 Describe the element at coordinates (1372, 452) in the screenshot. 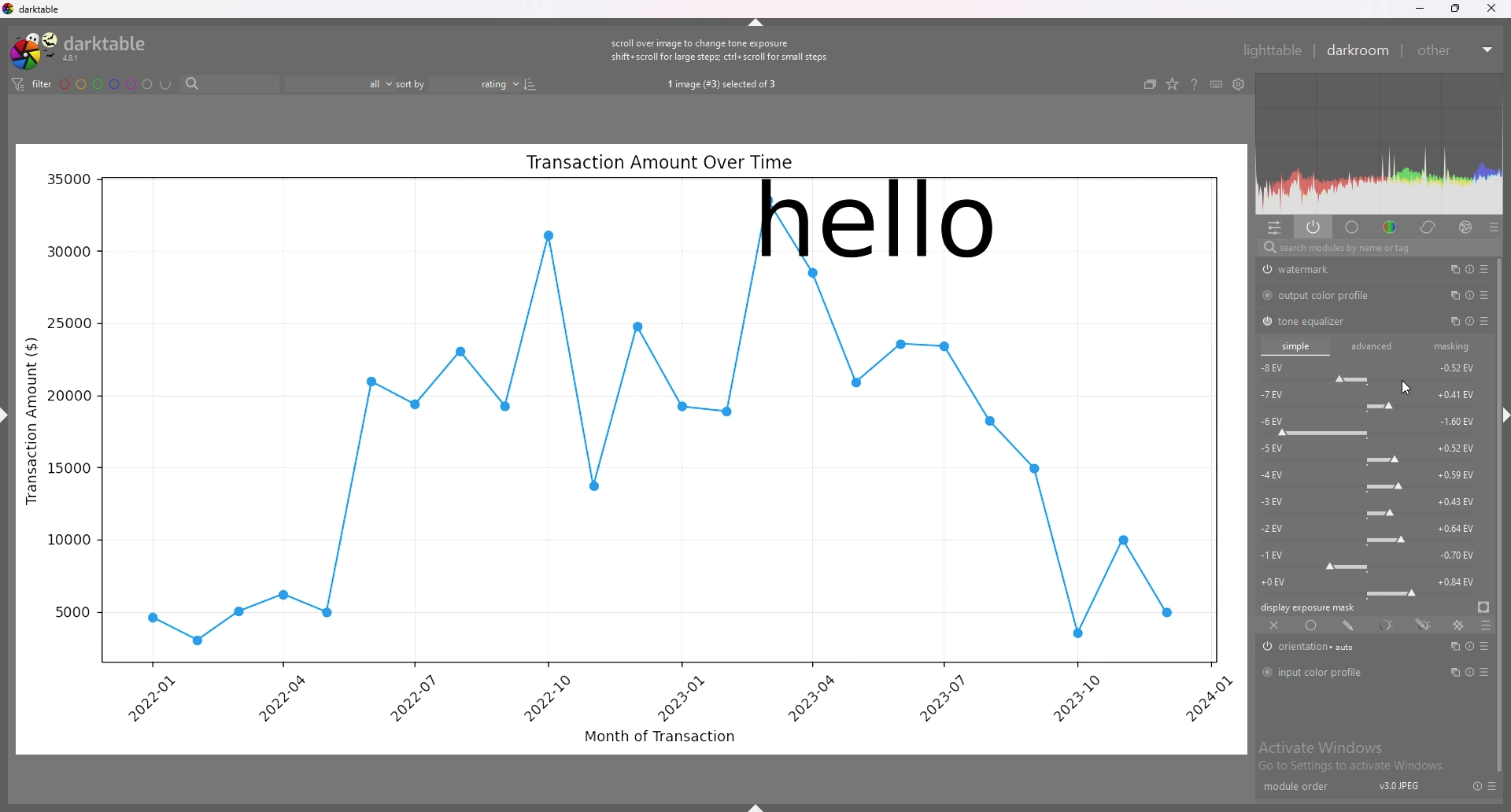

I see `-5 EV force` at that location.